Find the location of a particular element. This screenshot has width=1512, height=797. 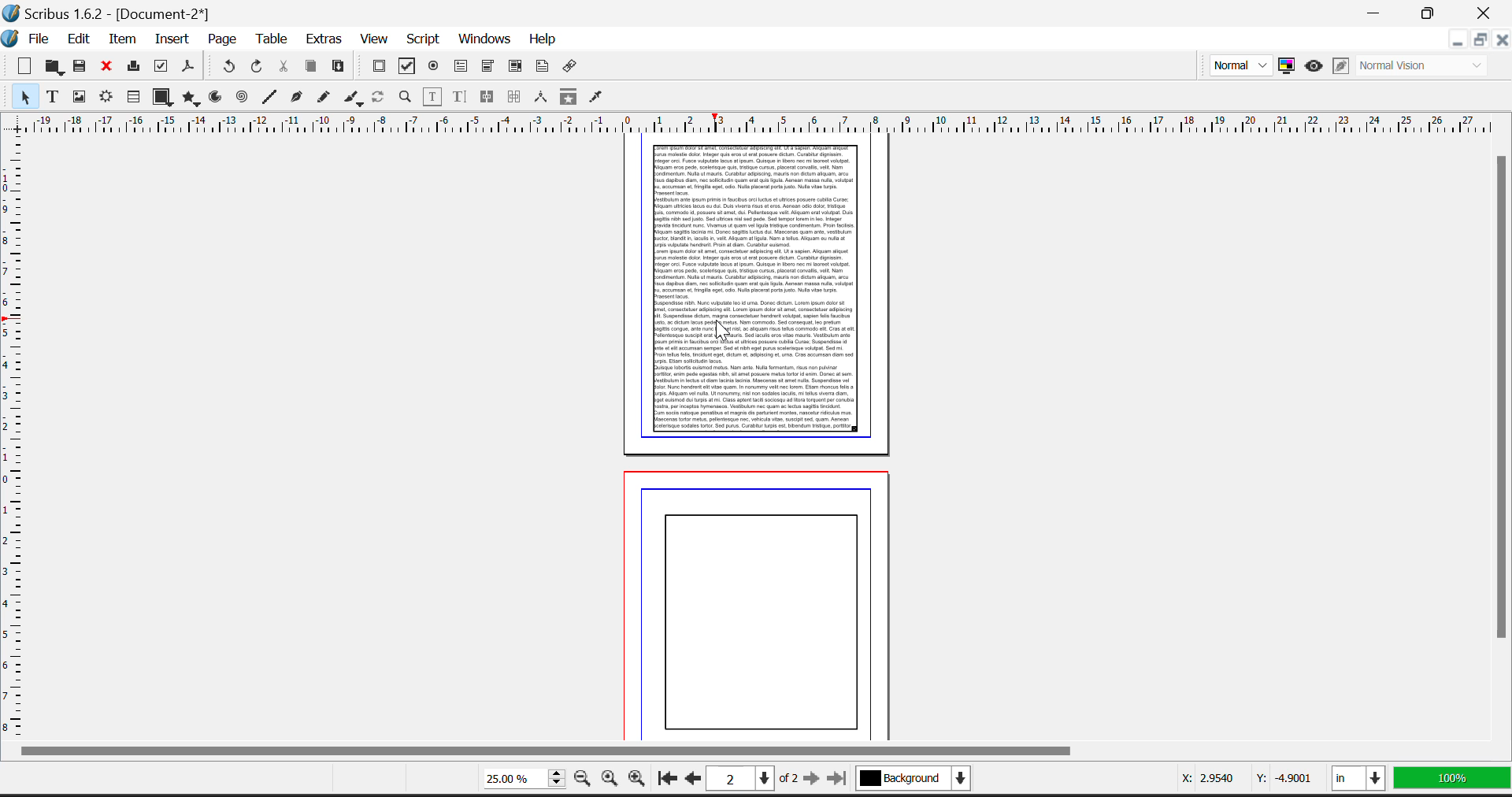

Close is located at coordinates (1501, 40).